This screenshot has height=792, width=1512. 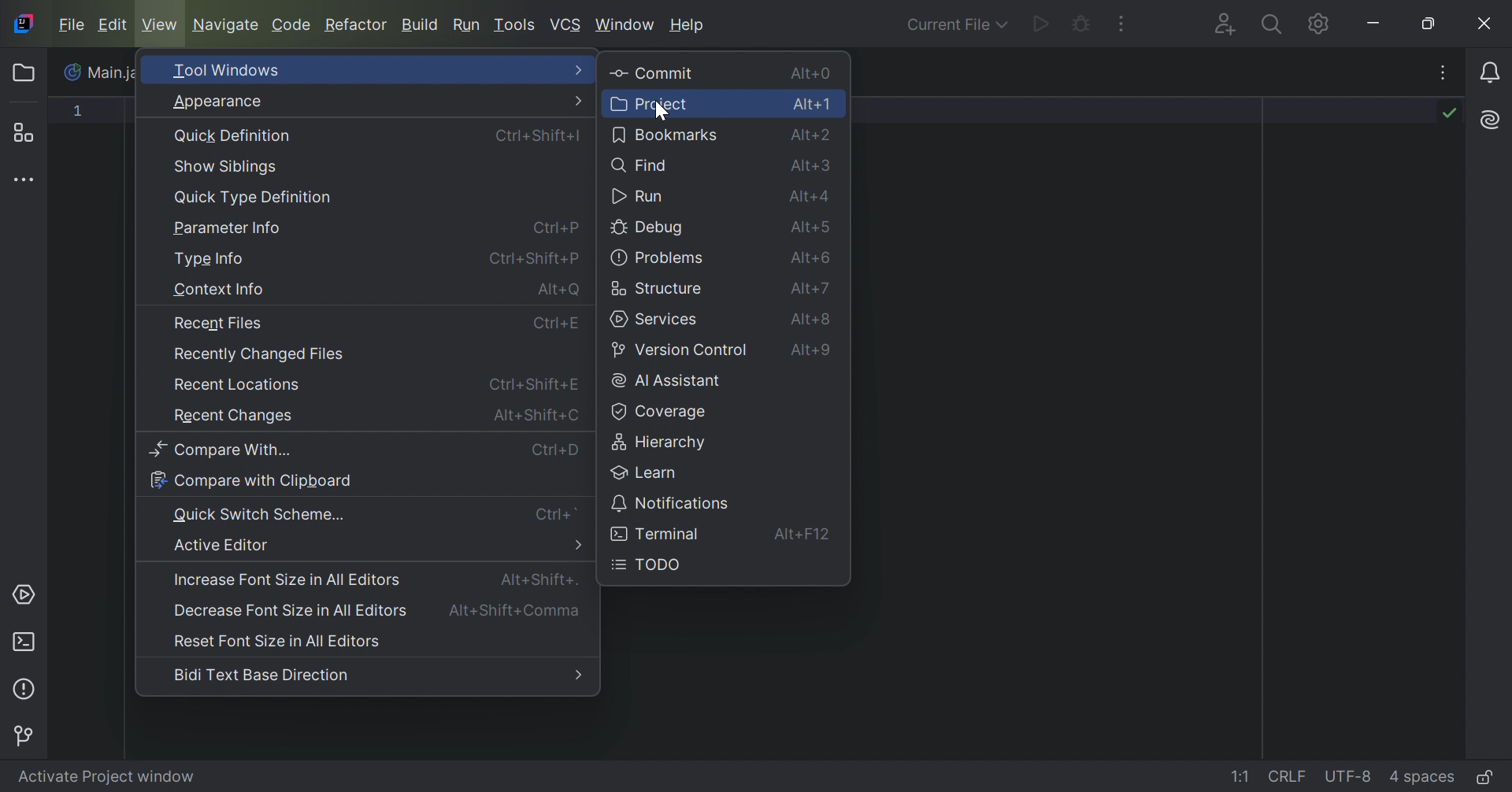 I want to click on Problems, so click(x=28, y=687).